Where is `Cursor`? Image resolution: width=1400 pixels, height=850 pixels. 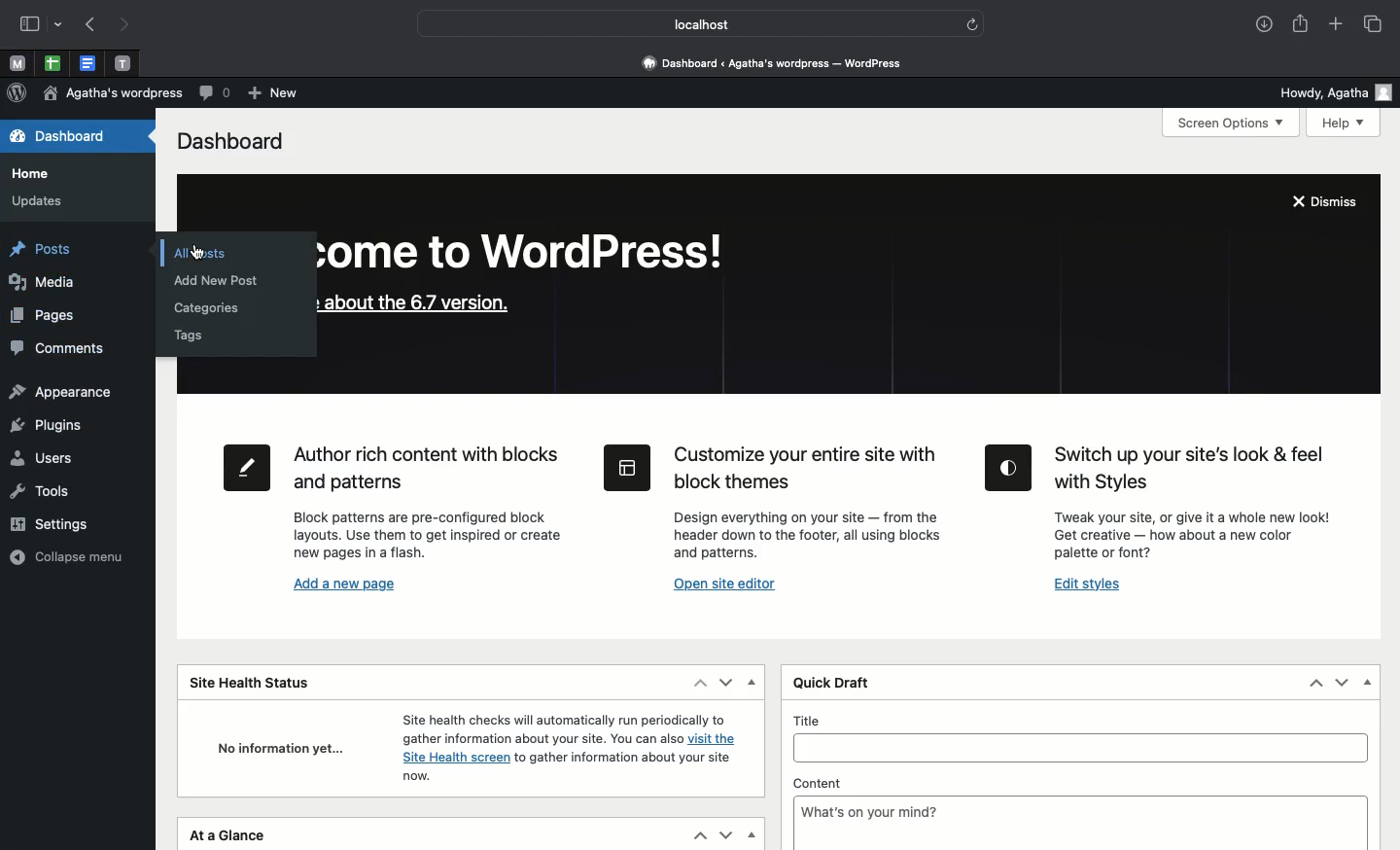
Cursor is located at coordinates (199, 253).